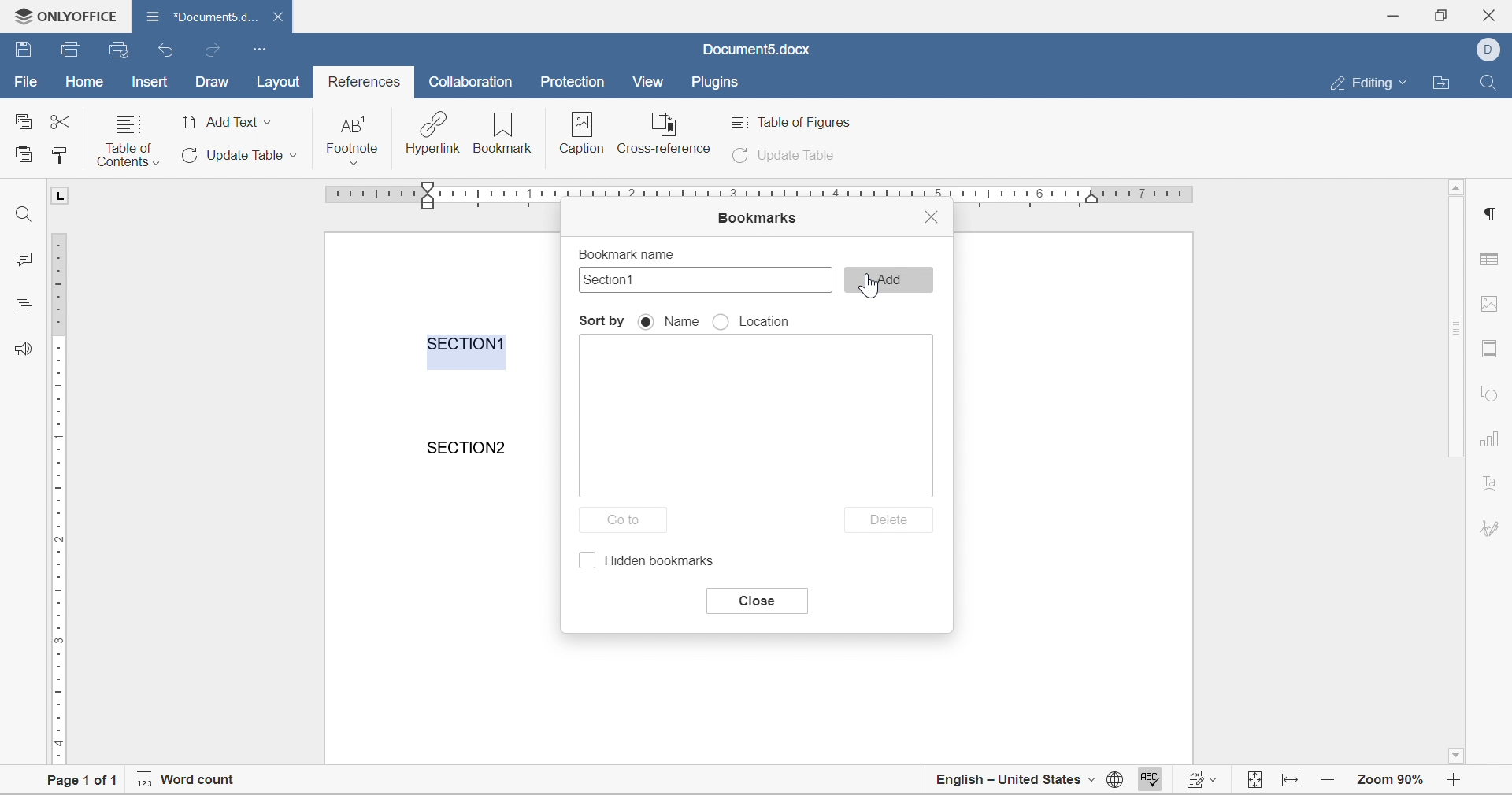  Describe the element at coordinates (1488, 80) in the screenshot. I see `find` at that location.